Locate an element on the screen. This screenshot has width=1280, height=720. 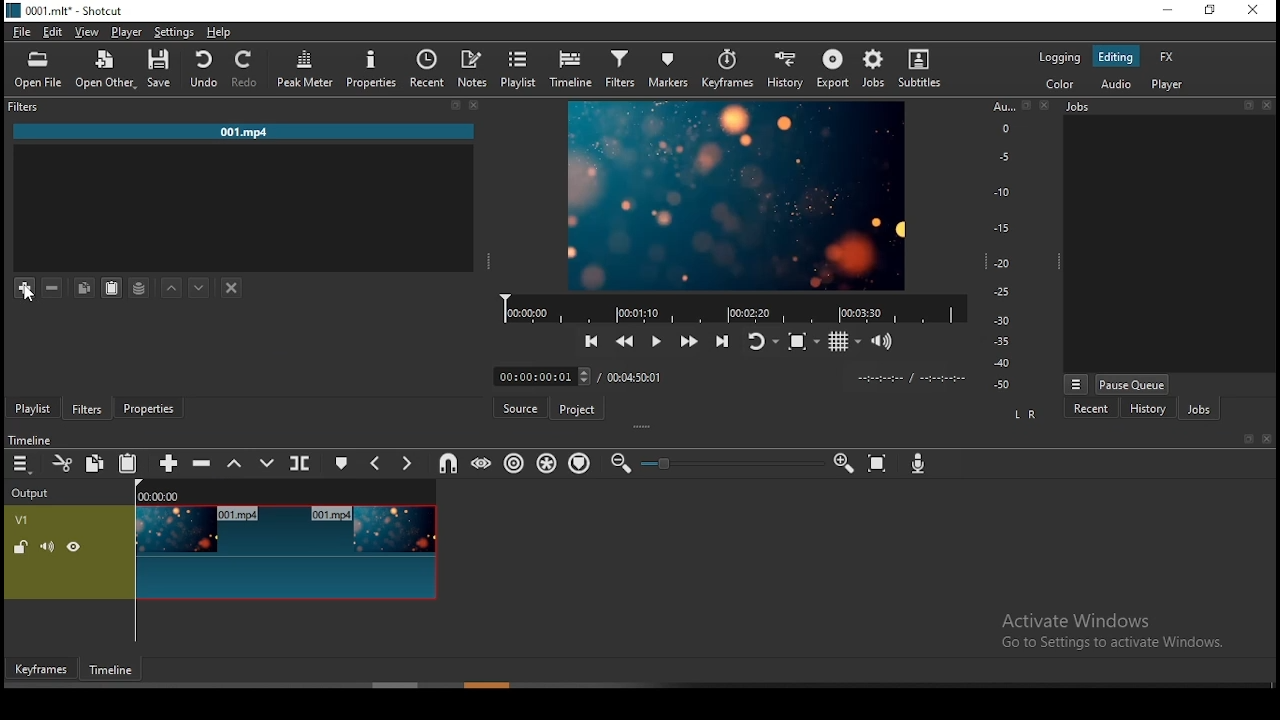
ripple all tracks is located at coordinates (549, 463).